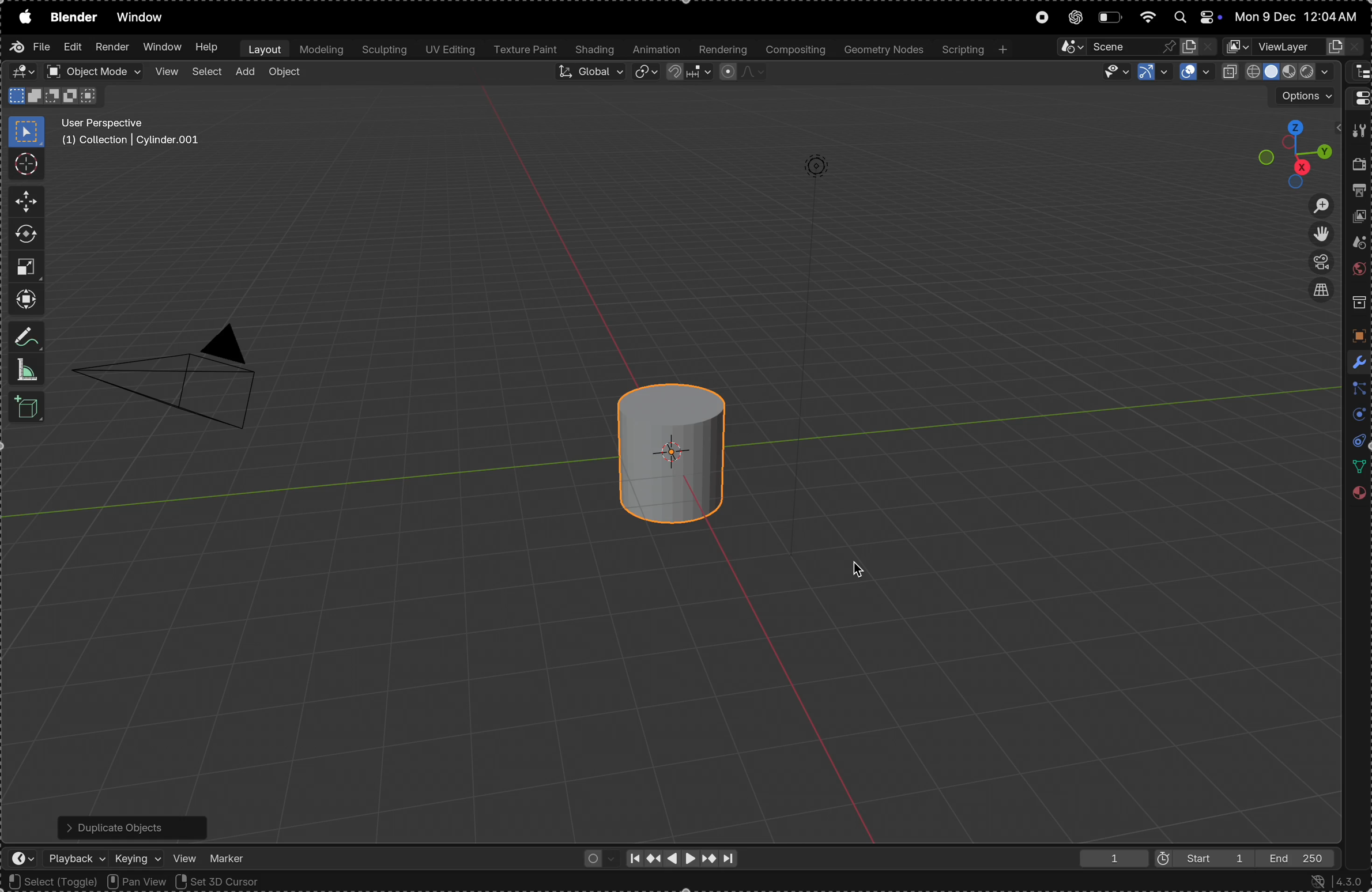 The height and width of the screenshot is (892, 1372). What do you see at coordinates (1296, 149) in the screenshot?
I see `view point` at bounding box center [1296, 149].